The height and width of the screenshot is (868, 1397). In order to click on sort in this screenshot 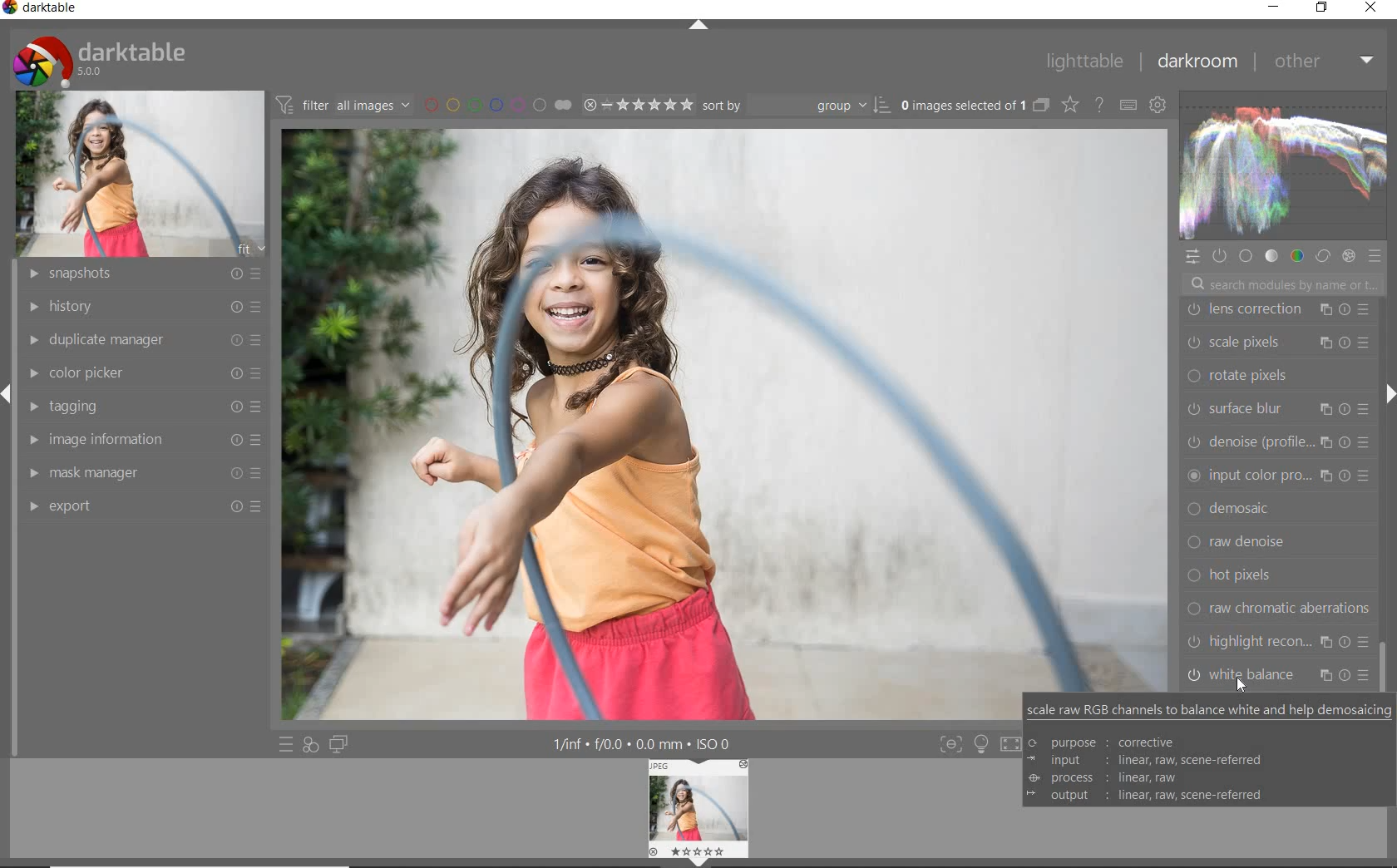, I will do `click(796, 104)`.